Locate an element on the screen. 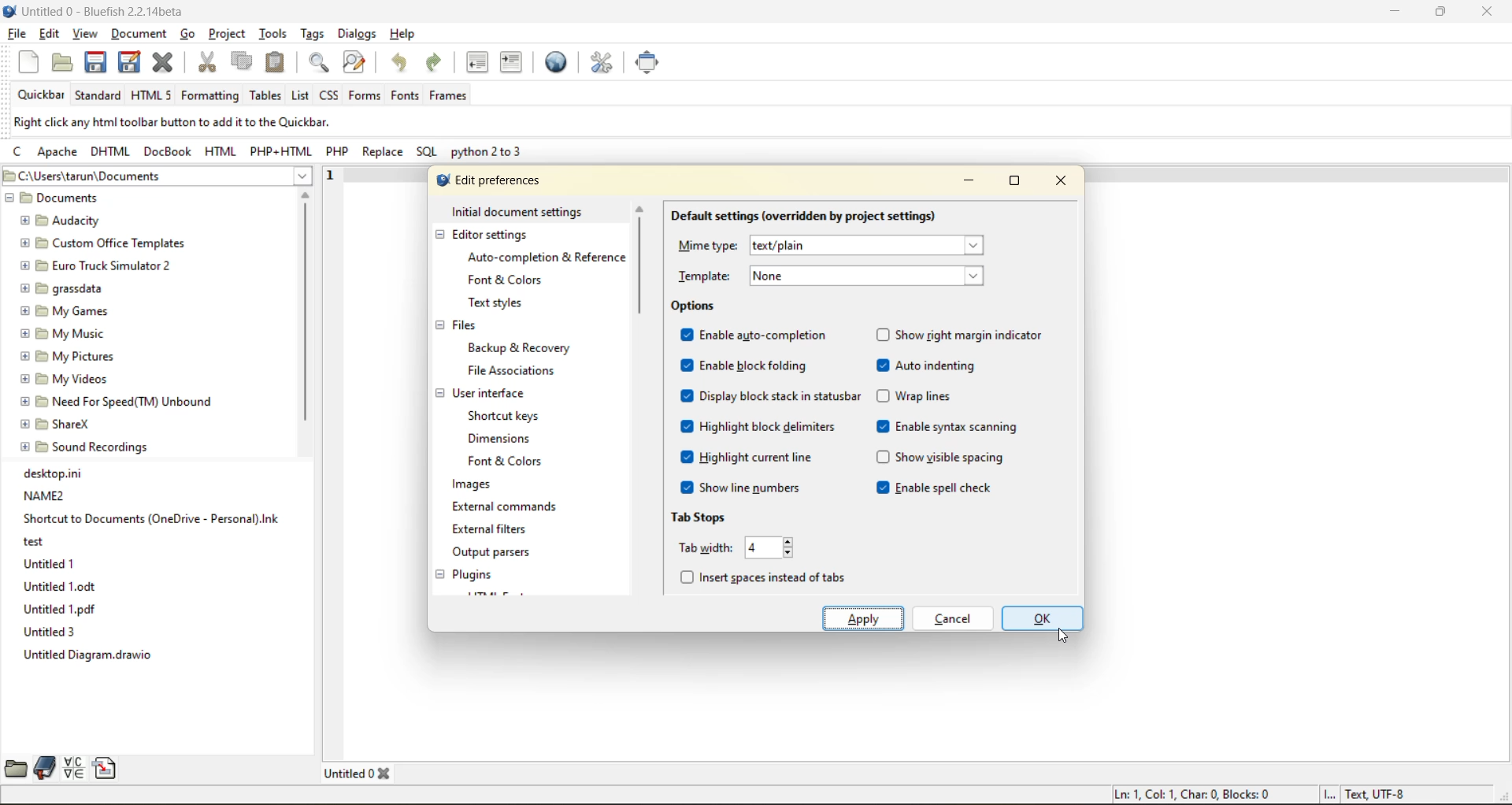 Image resolution: width=1512 pixels, height=805 pixels. tab stops is located at coordinates (701, 517).